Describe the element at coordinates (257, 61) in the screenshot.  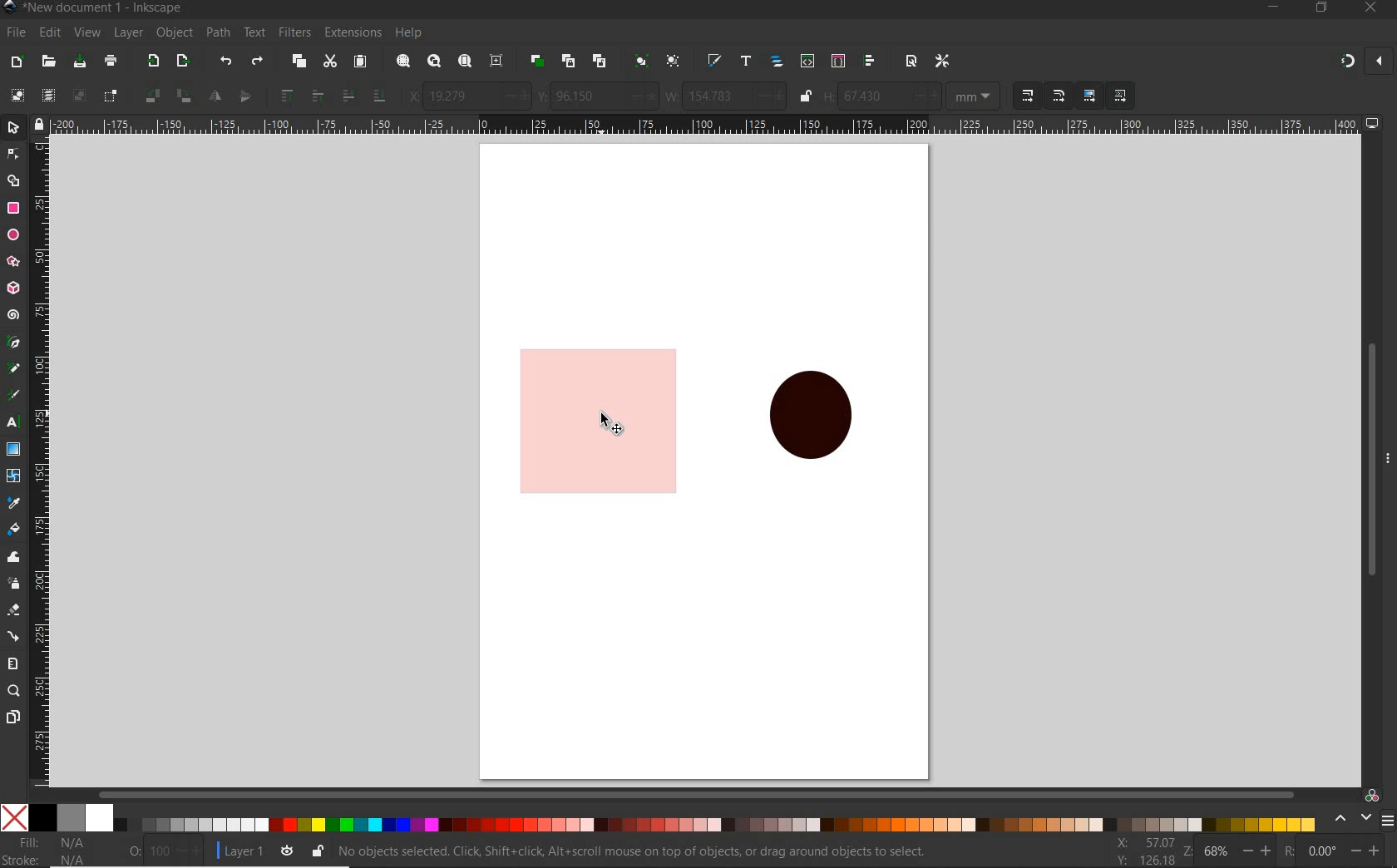
I see `redo` at that location.